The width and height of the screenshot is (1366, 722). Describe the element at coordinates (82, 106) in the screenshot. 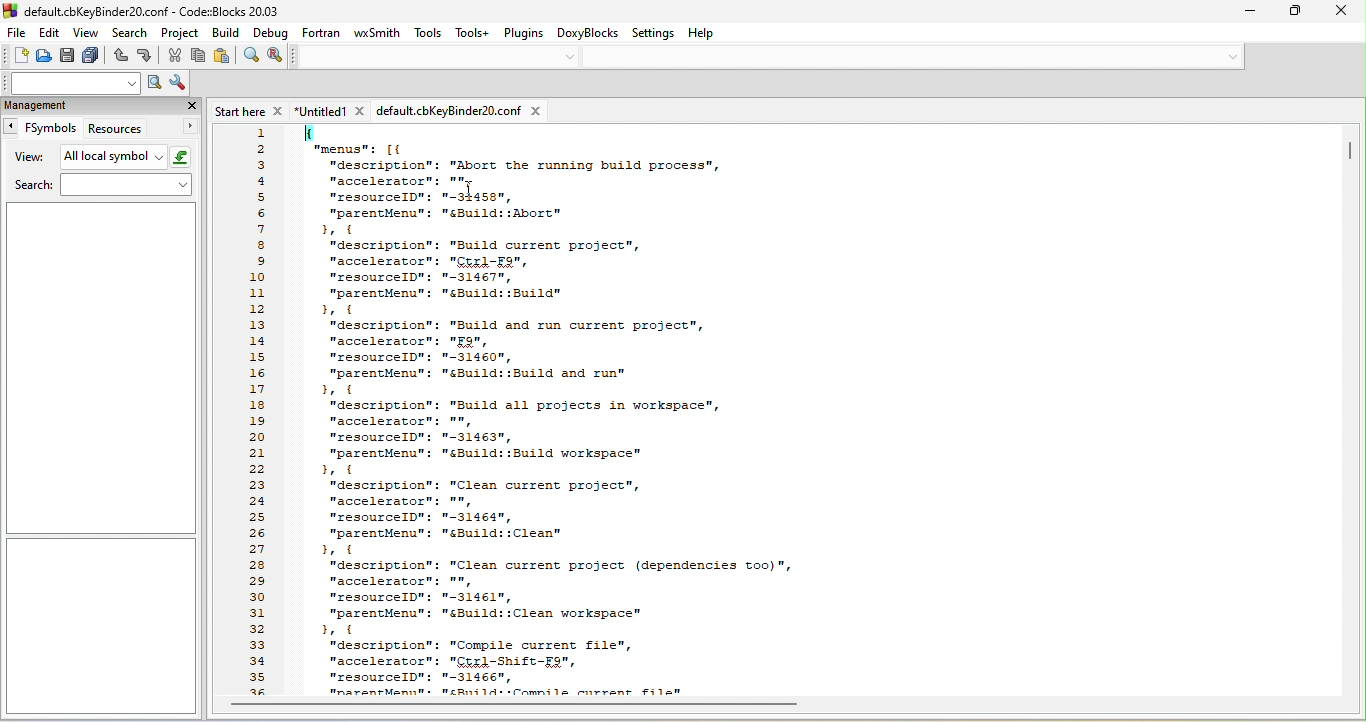

I see `management` at that location.